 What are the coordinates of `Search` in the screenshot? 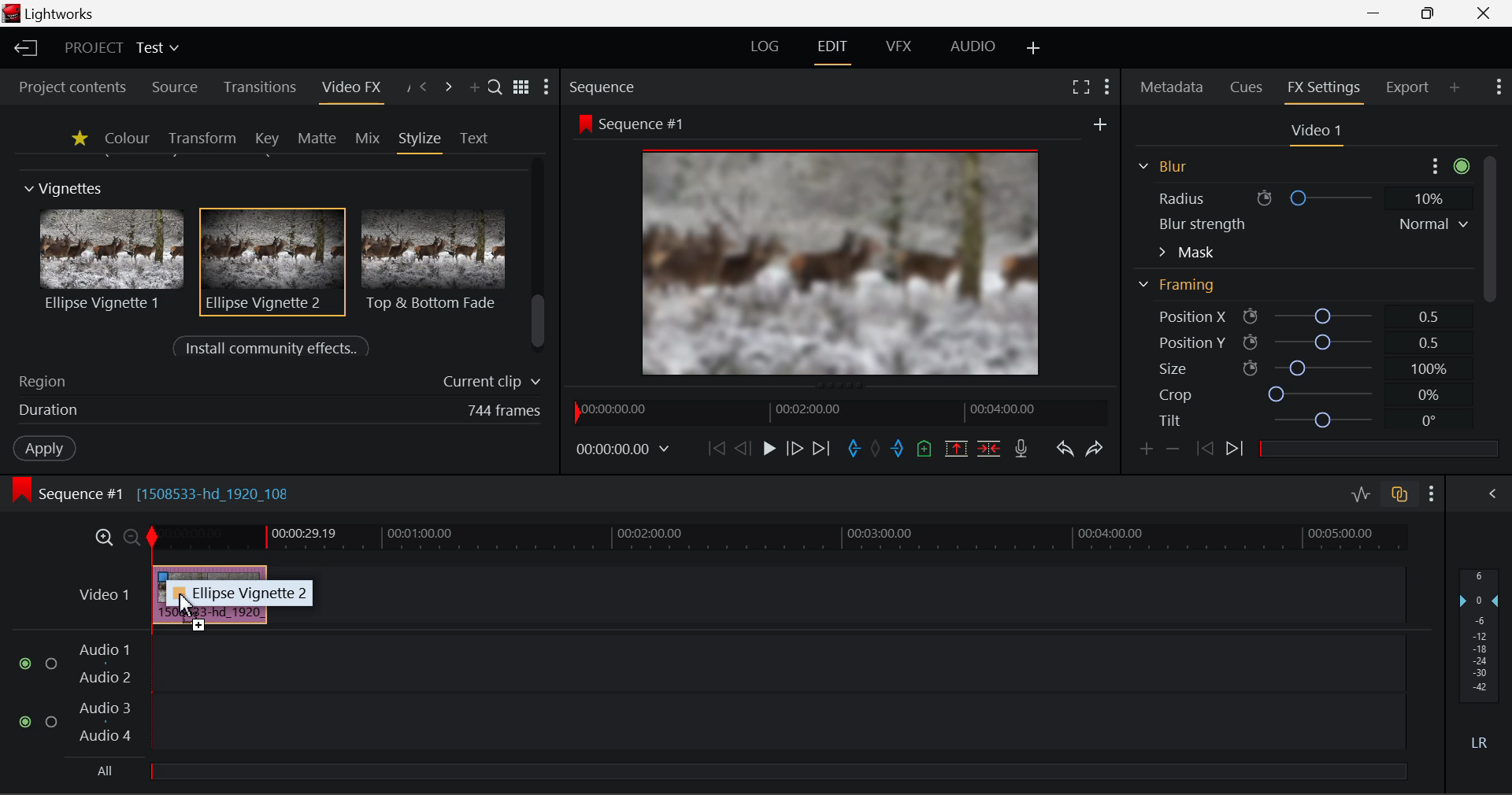 It's located at (496, 89).